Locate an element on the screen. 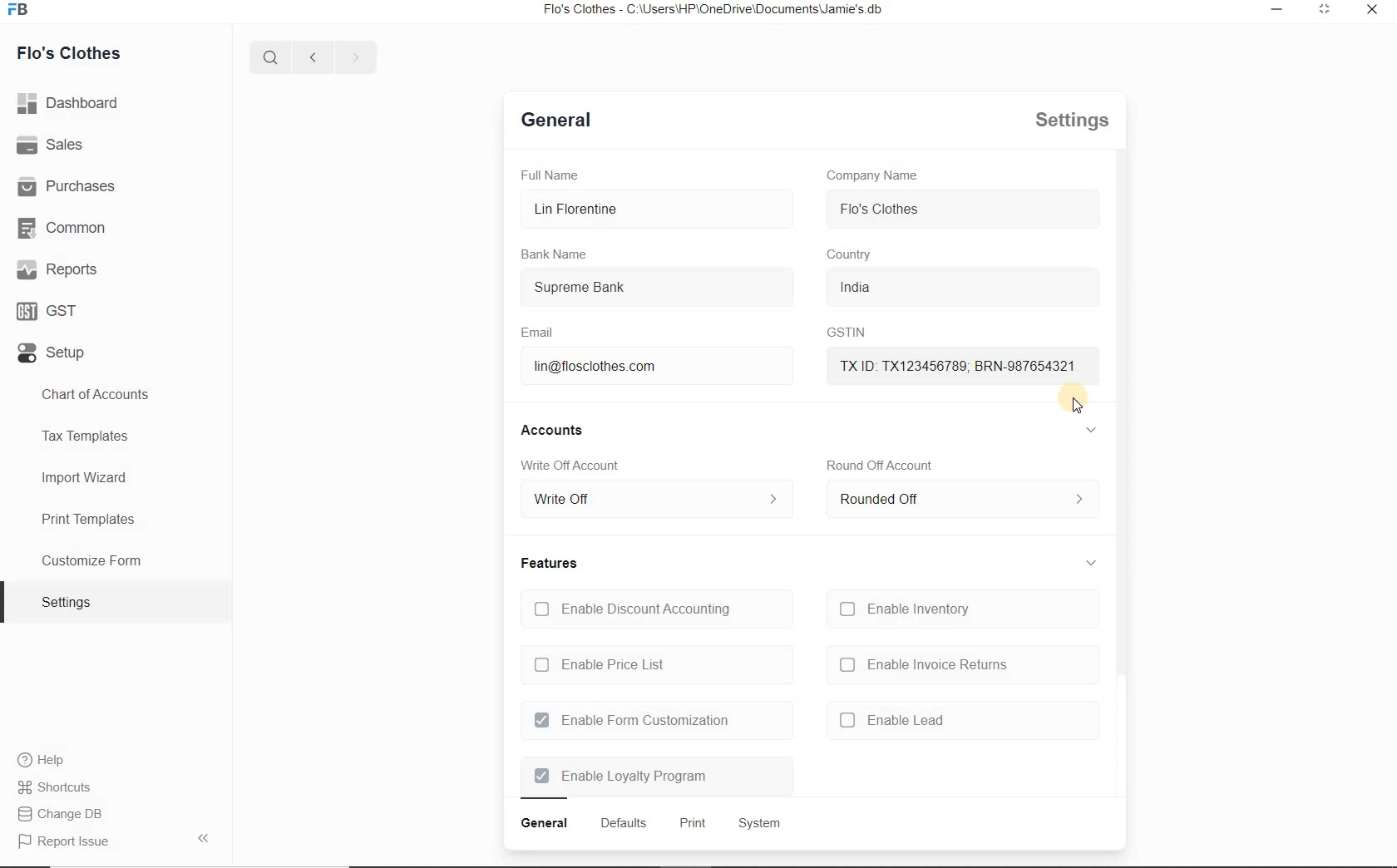 The width and height of the screenshot is (1397, 868). Enable Form Customization is located at coordinates (631, 721).